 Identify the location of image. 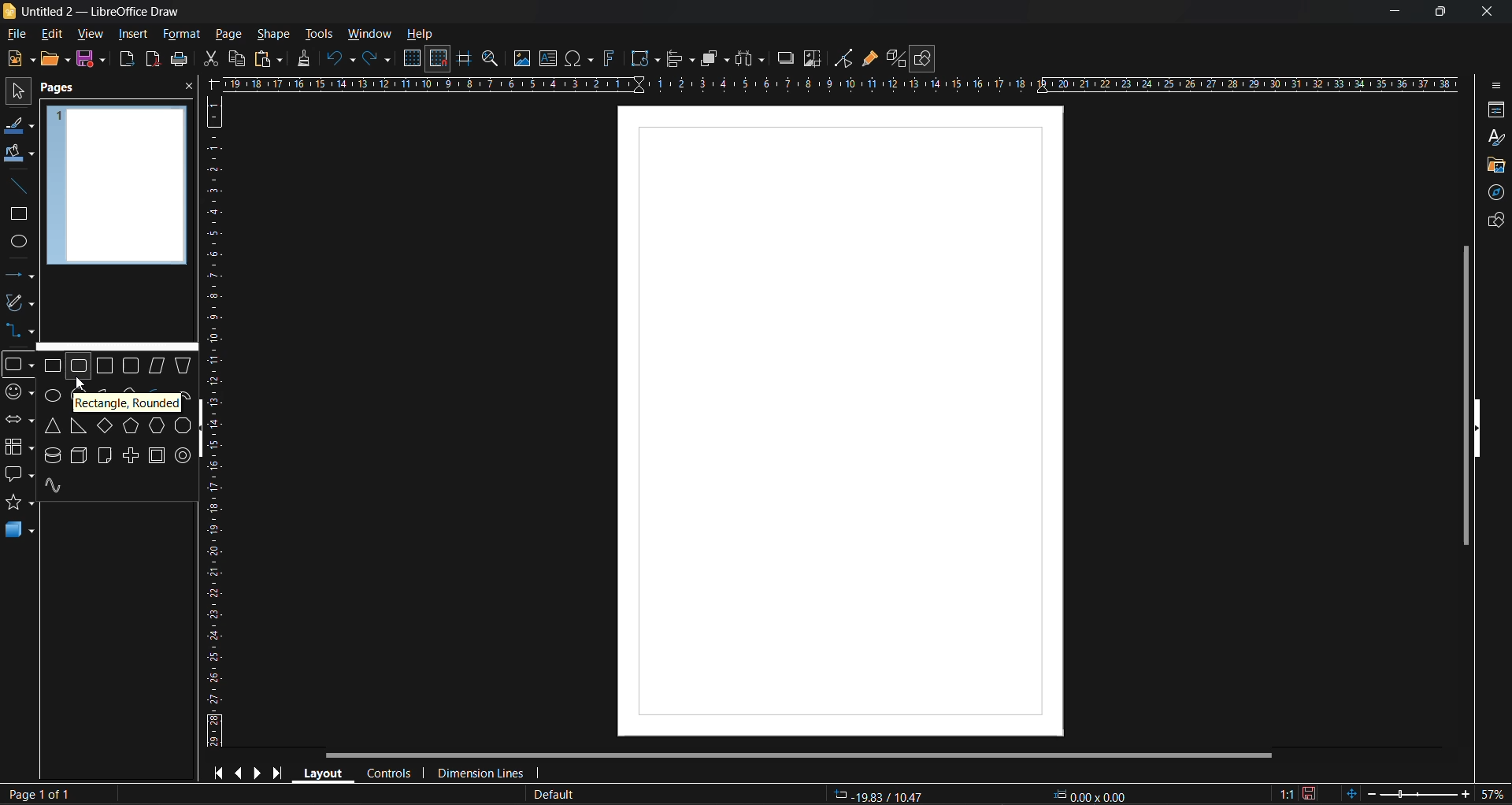
(521, 58).